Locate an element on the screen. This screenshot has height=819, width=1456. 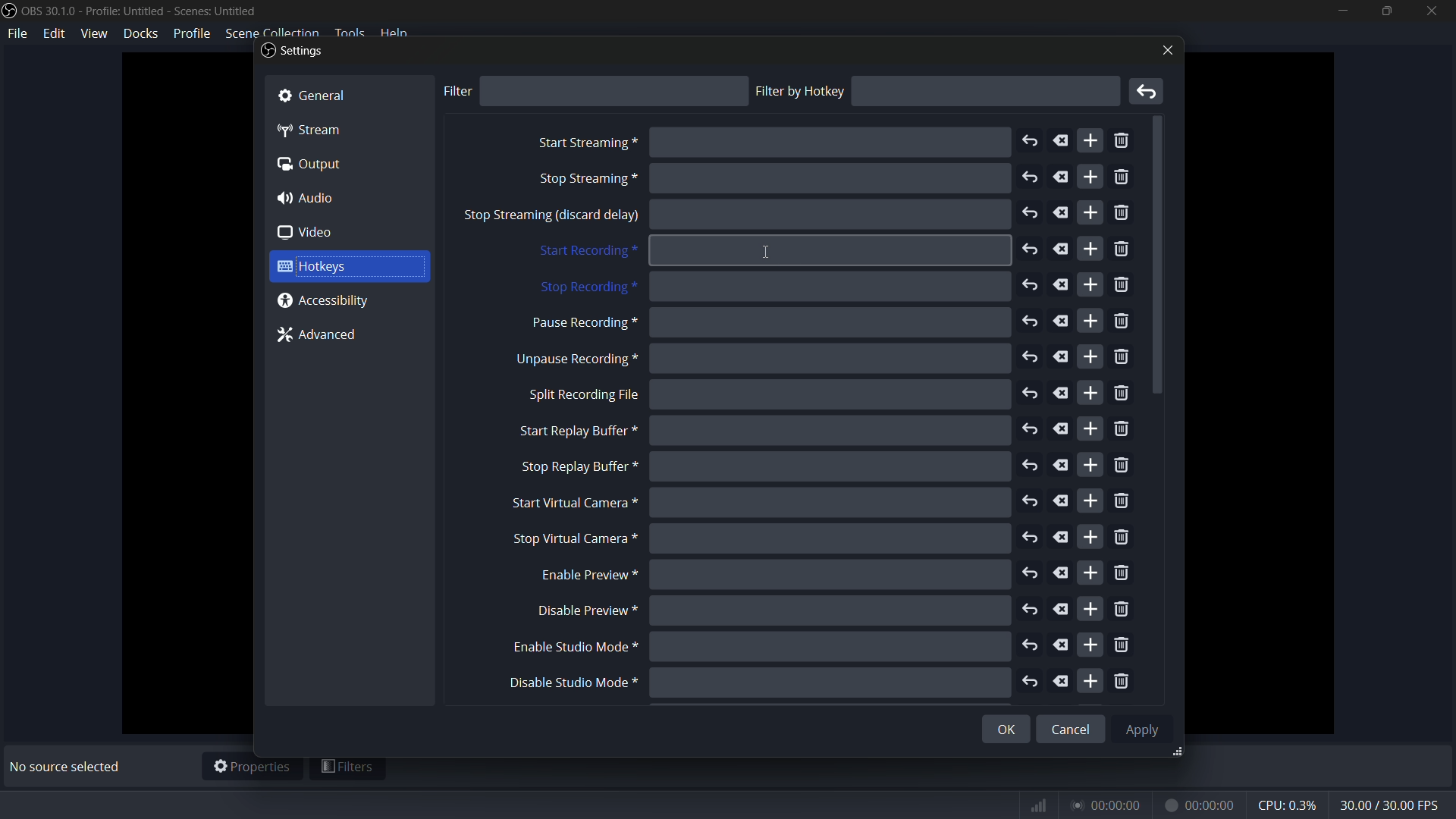
& General is located at coordinates (327, 93).